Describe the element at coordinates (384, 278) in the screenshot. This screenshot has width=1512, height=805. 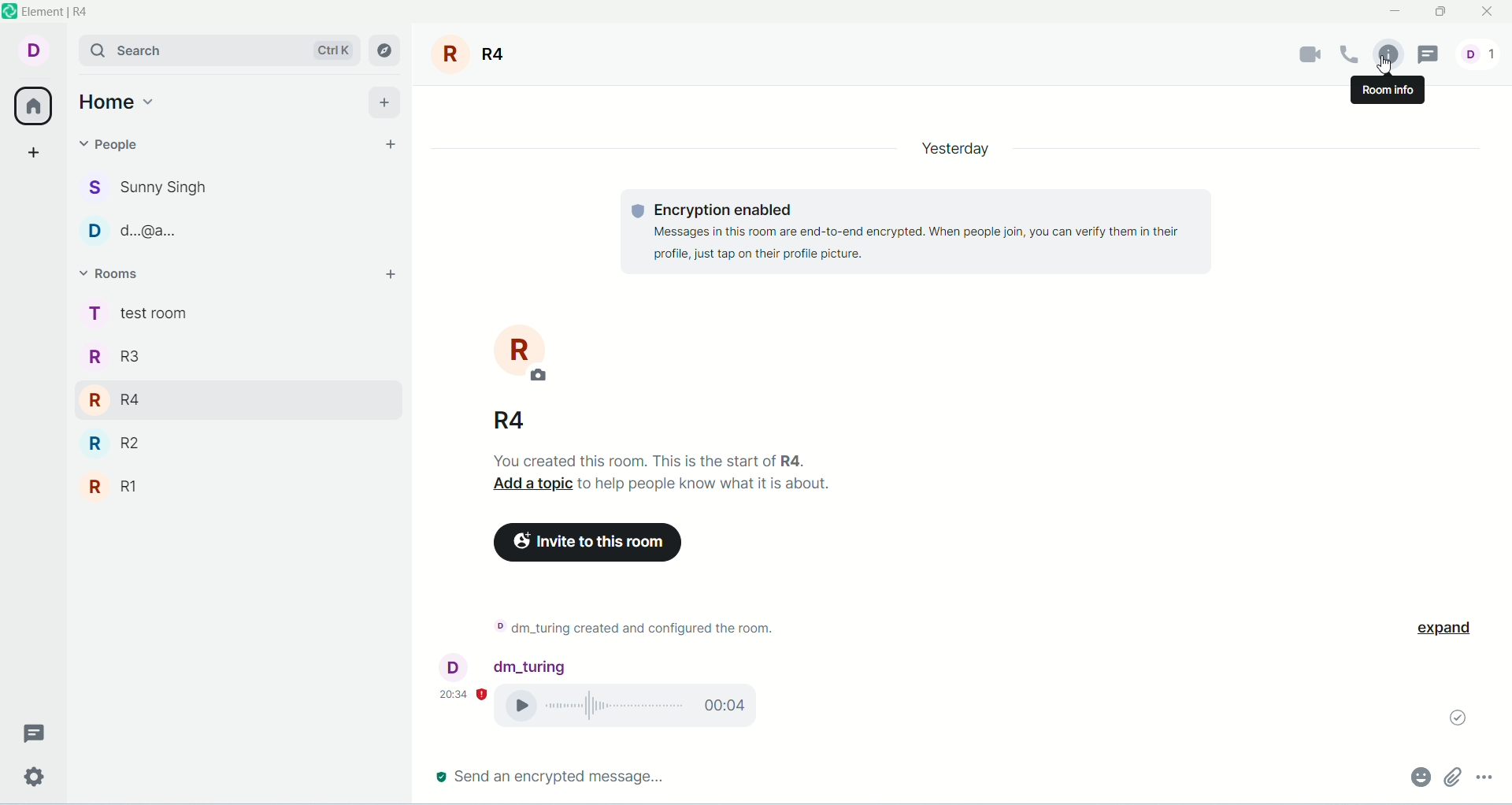
I see `add` at that location.